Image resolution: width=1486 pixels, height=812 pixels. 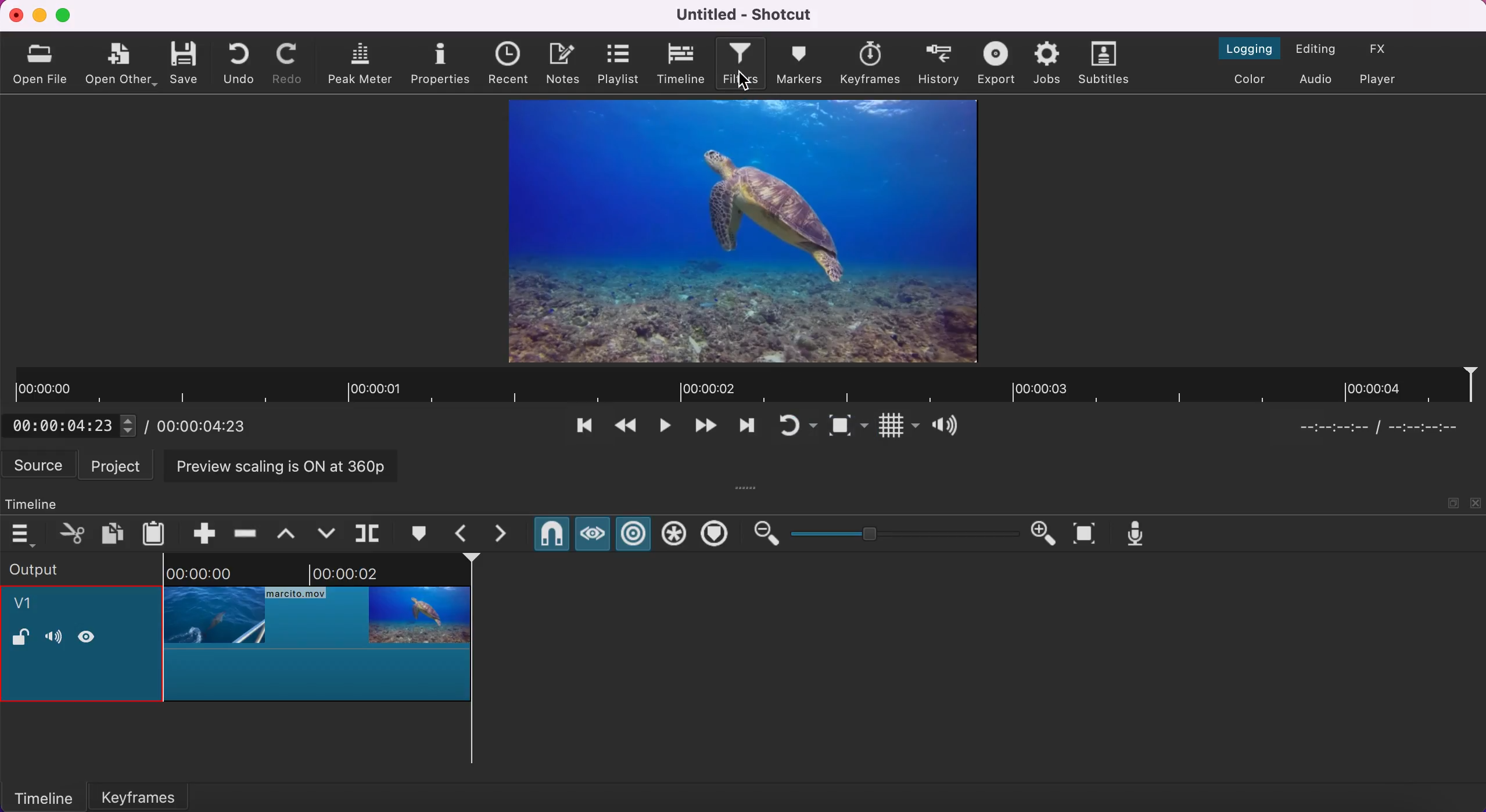 What do you see at coordinates (43, 63) in the screenshot?
I see `open file` at bounding box center [43, 63].